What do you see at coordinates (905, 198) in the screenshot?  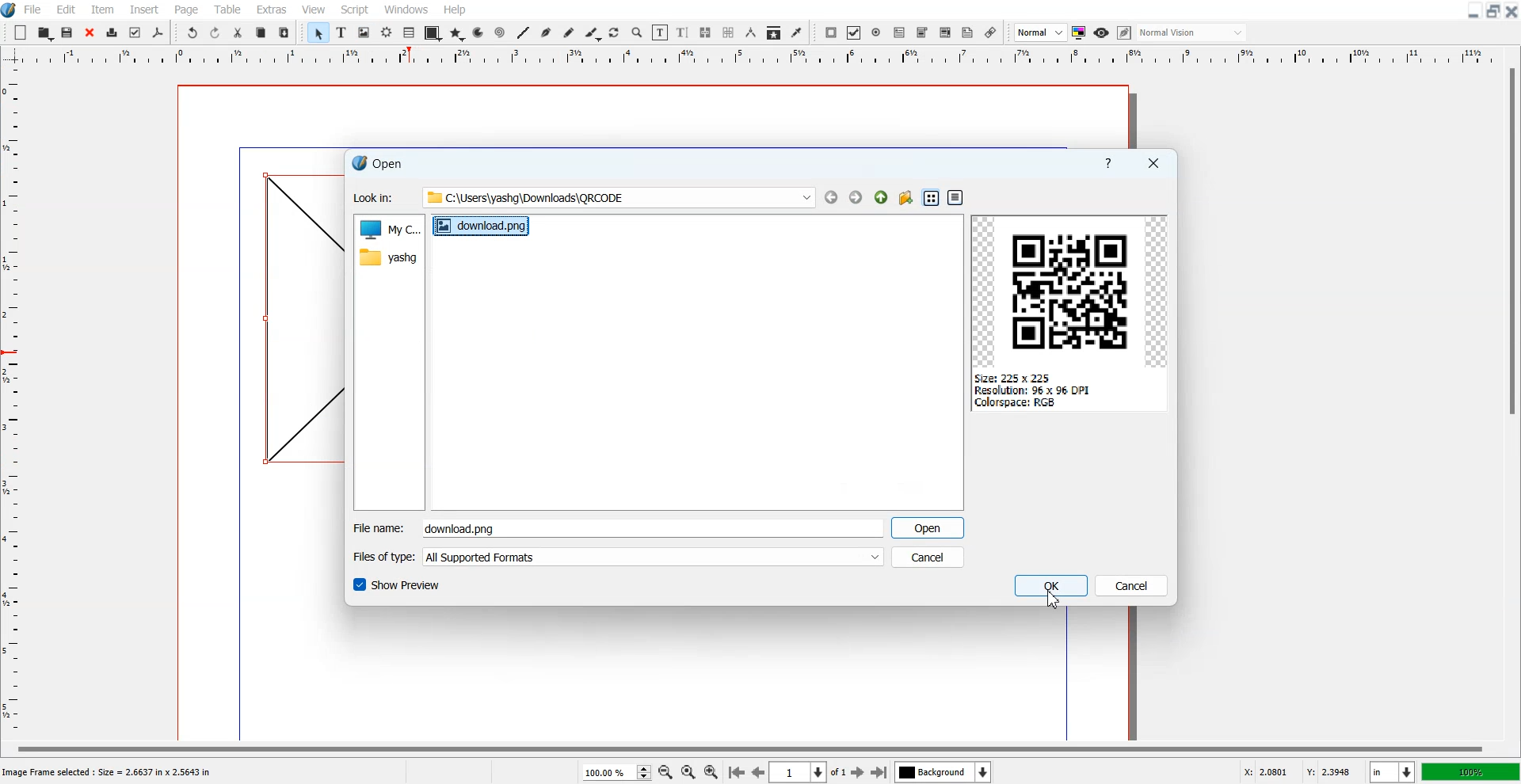 I see `Create new folder` at bounding box center [905, 198].